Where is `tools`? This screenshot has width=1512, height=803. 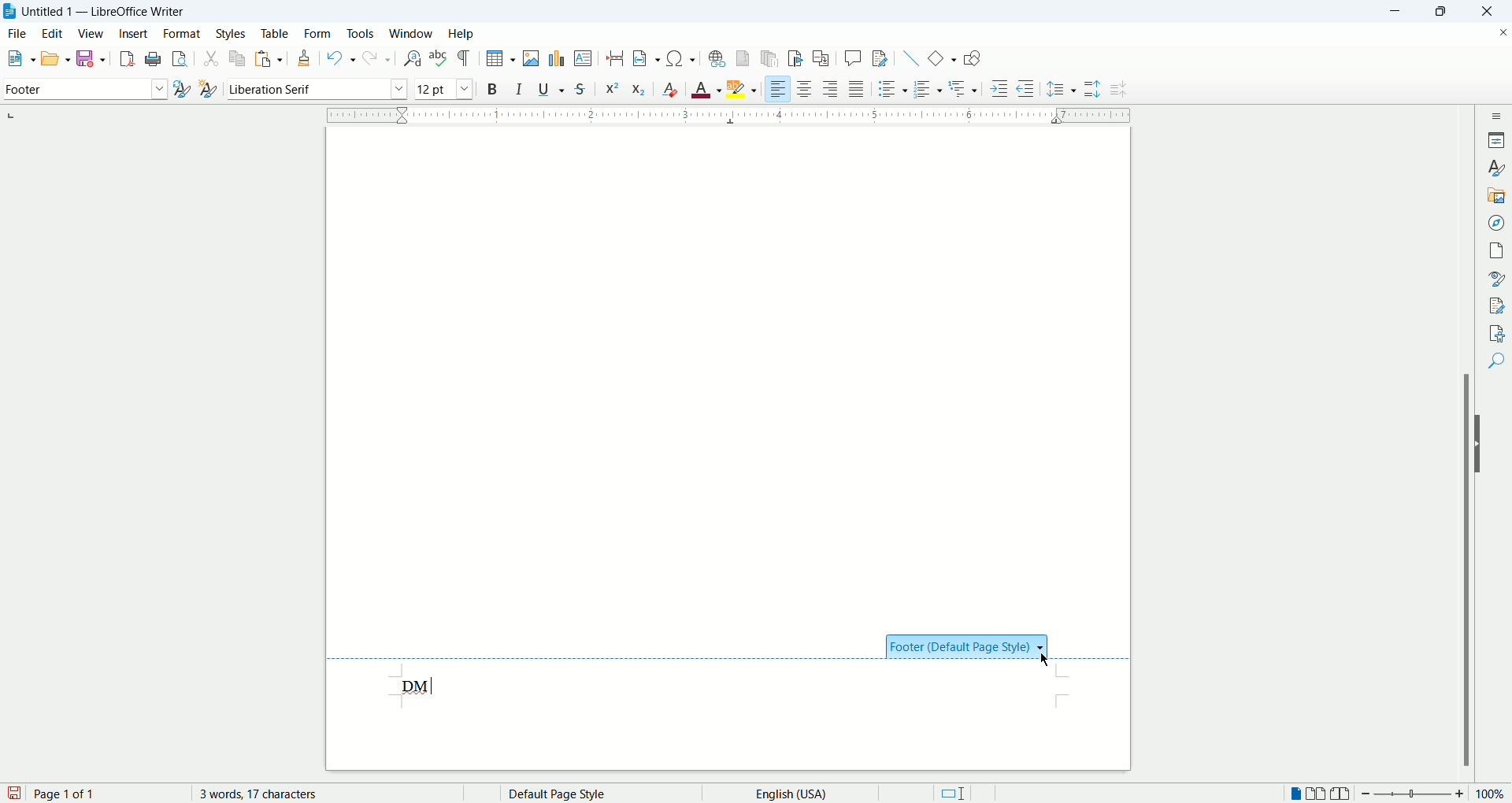
tools is located at coordinates (362, 32).